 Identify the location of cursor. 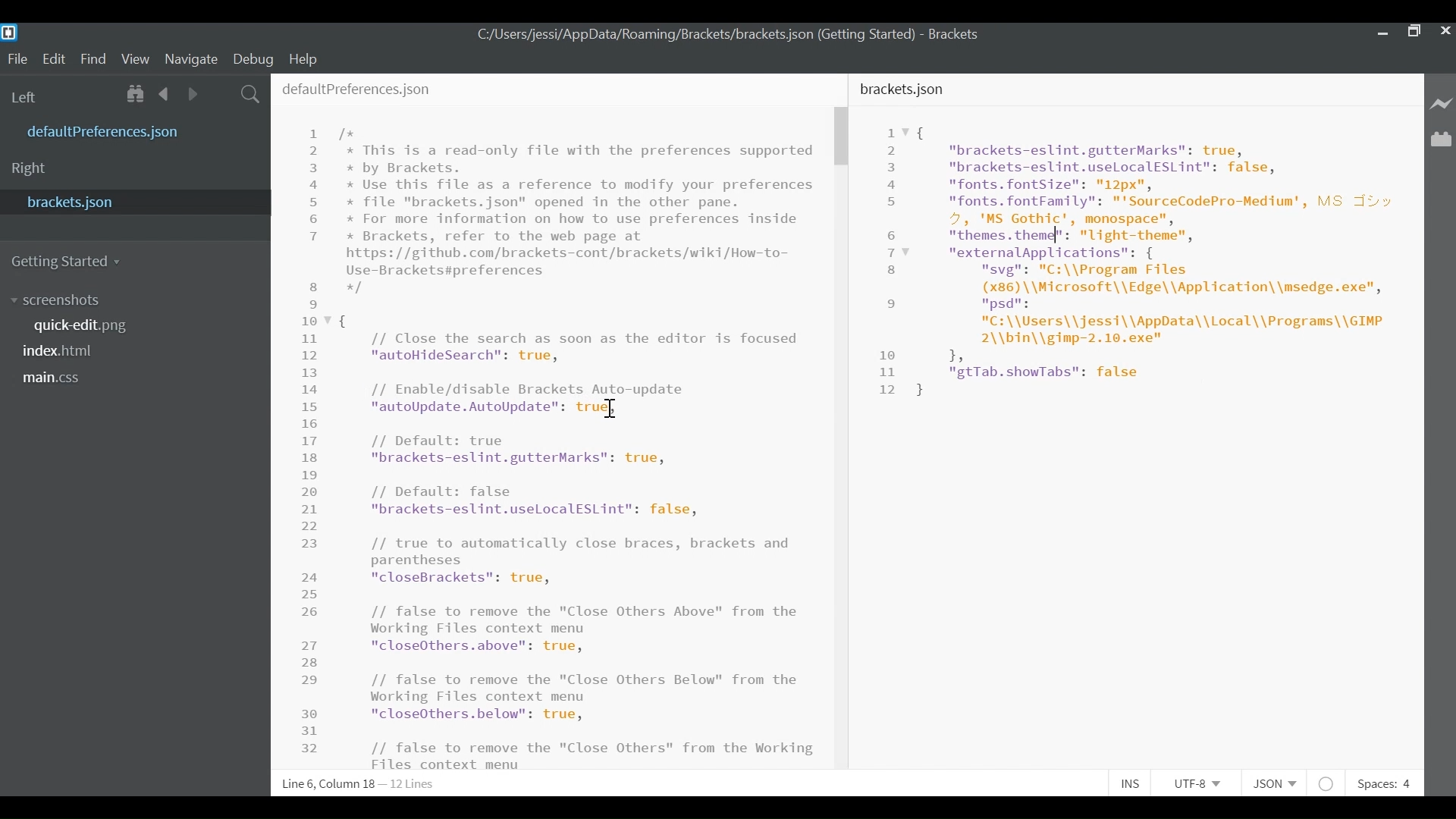
(610, 409).